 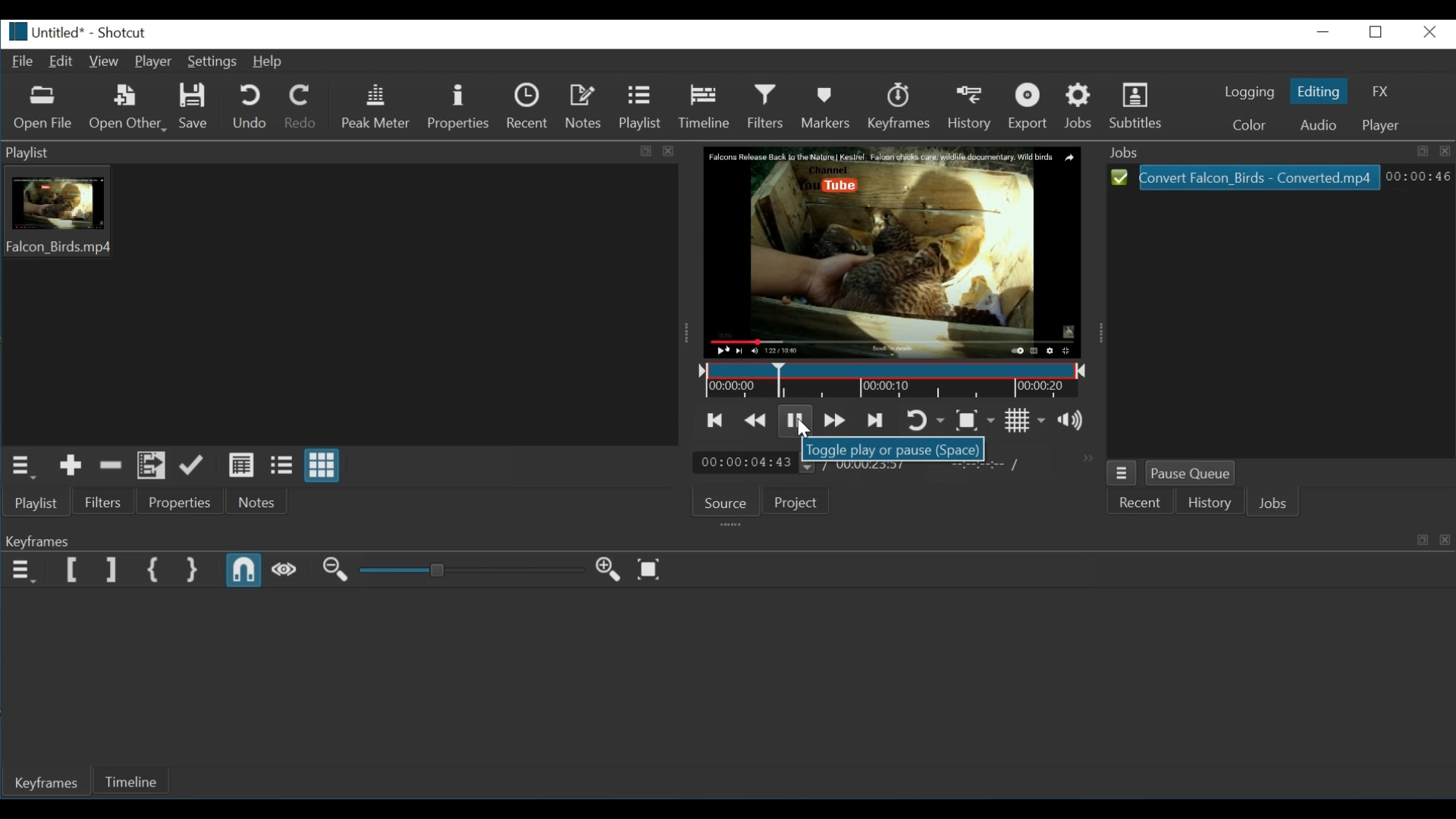 I want to click on Set Keyframe Start, so click(x=71, y=569).